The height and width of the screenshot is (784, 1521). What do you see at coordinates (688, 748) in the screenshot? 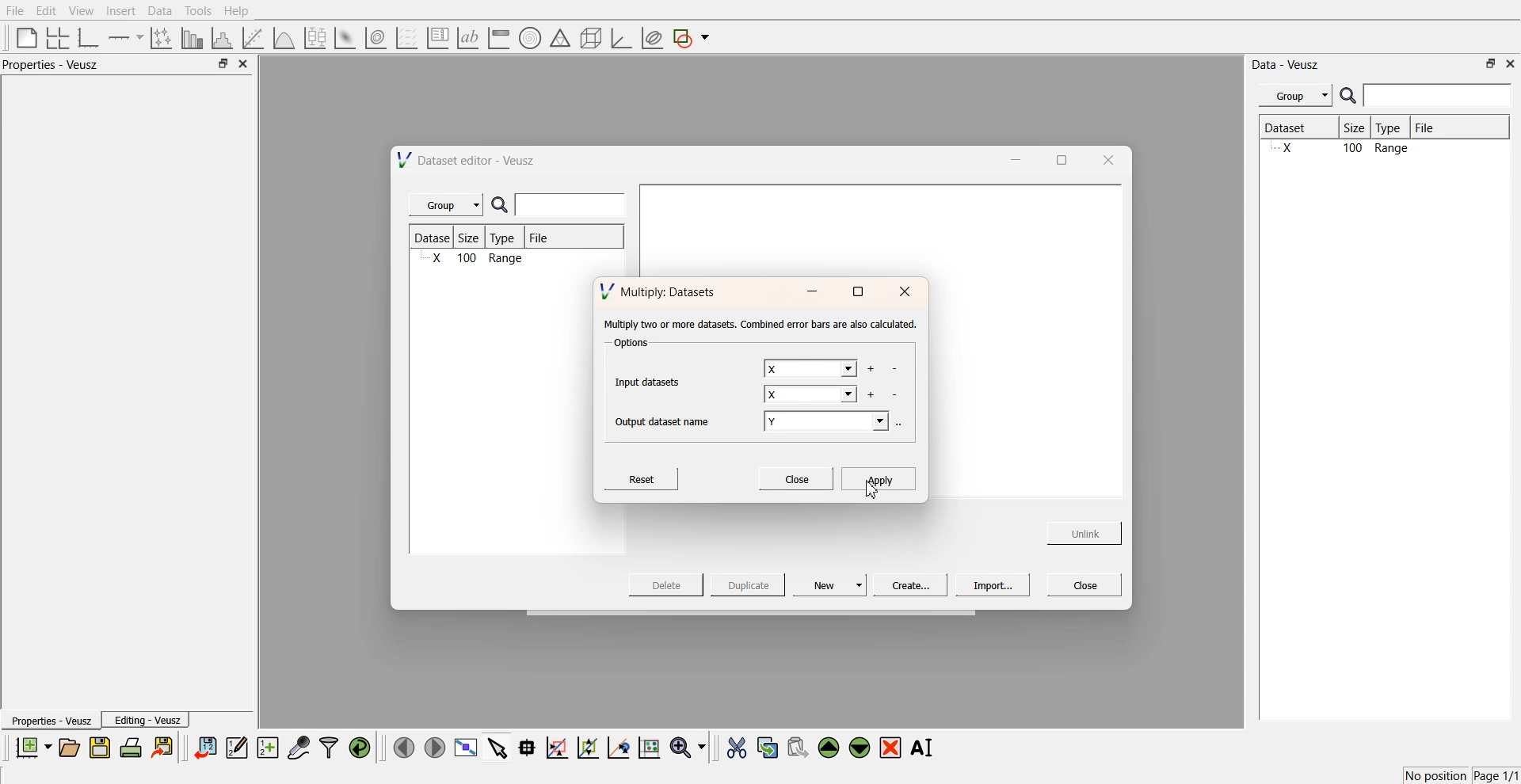
I see `zoom funtions` at bounding box center [688, 748].